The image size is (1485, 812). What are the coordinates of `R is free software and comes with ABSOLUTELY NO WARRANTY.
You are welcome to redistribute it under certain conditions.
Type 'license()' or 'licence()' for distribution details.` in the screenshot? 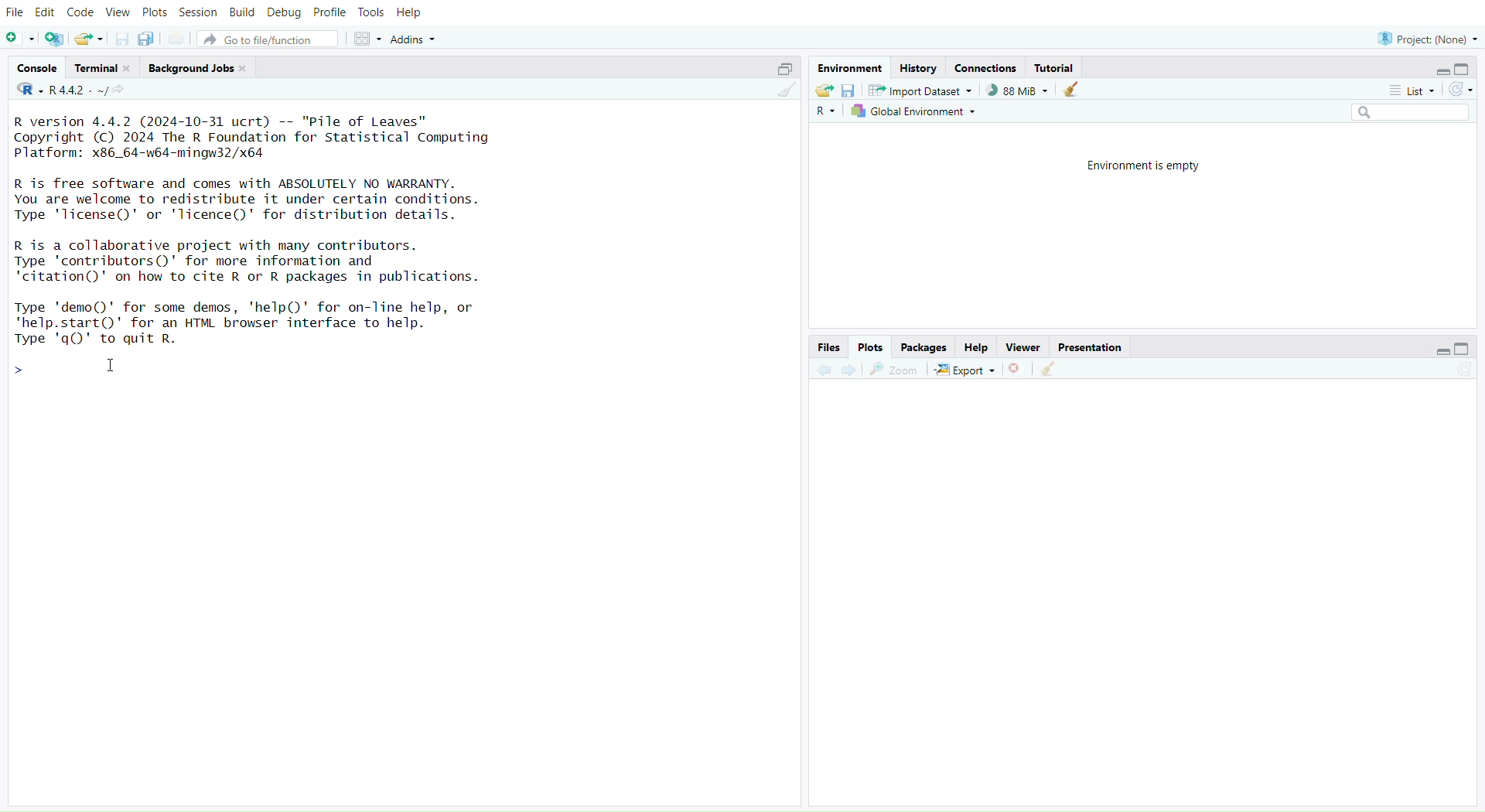 It's located at (257, 200).